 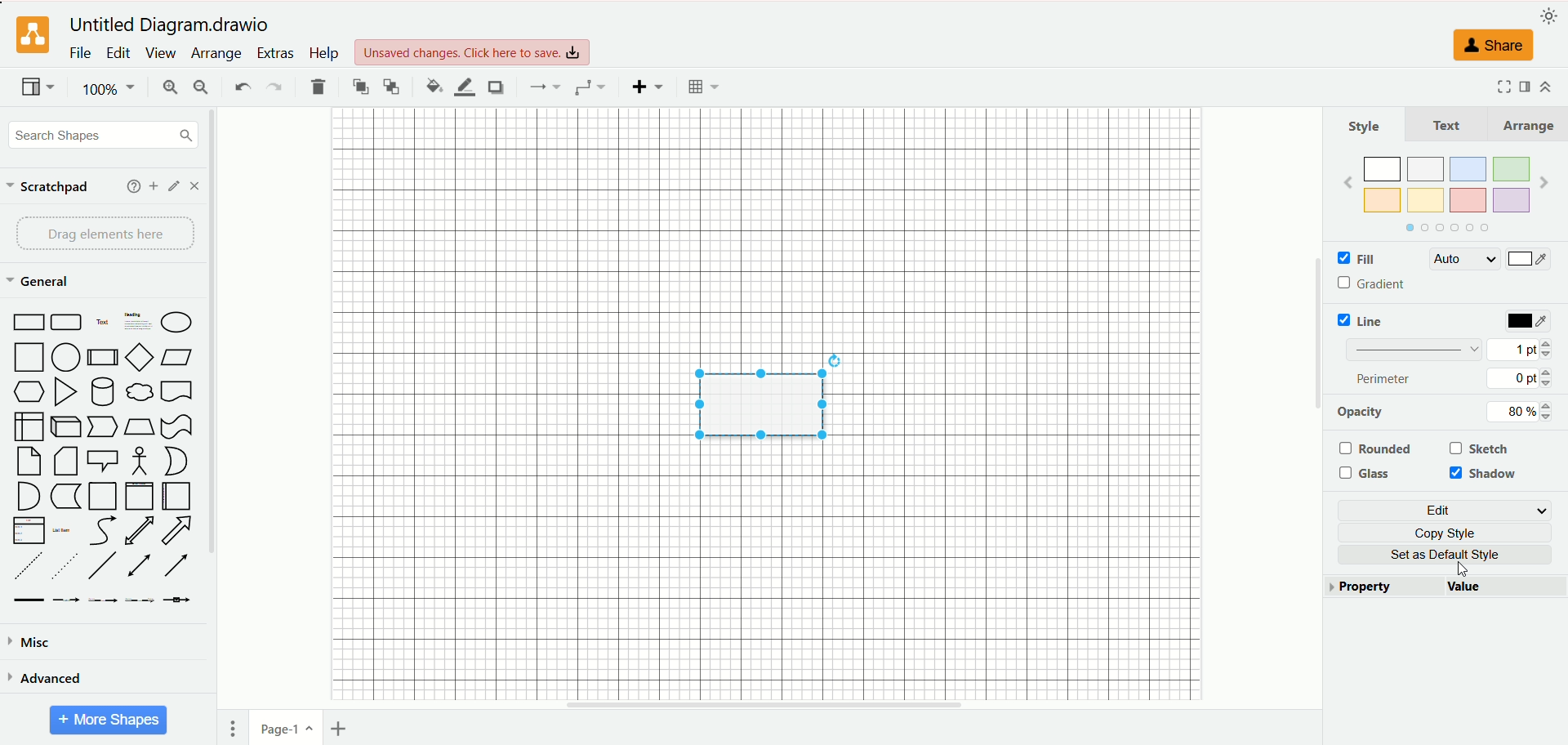 What do you see at coordinates (1526, 125) in the screenshot?
I see `arrange` at bounding box center [1526, 125].